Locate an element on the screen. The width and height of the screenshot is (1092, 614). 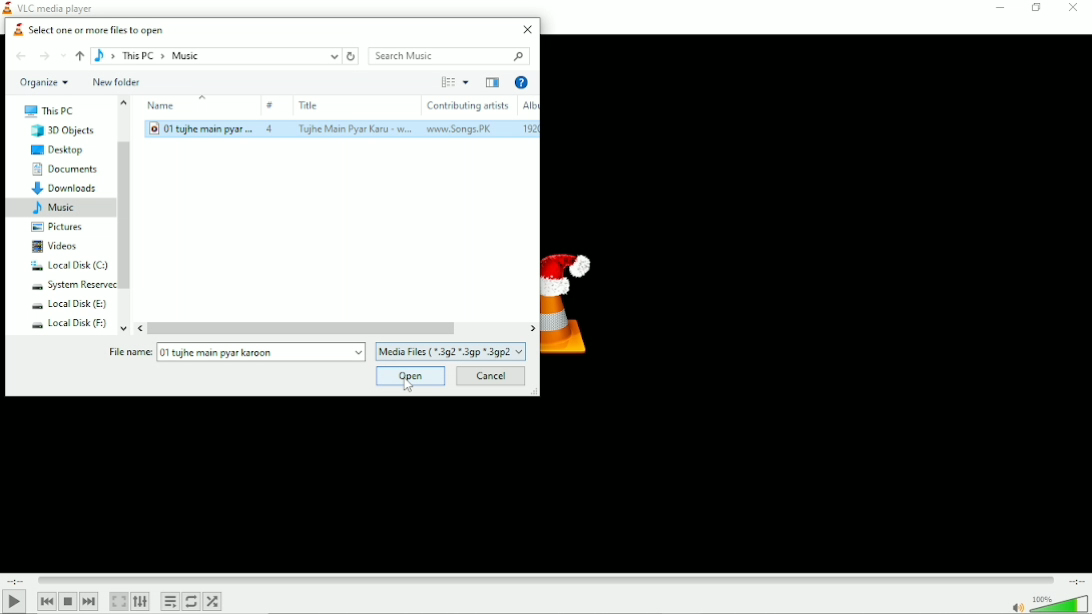
Videos is located at coordinates (54, 245).